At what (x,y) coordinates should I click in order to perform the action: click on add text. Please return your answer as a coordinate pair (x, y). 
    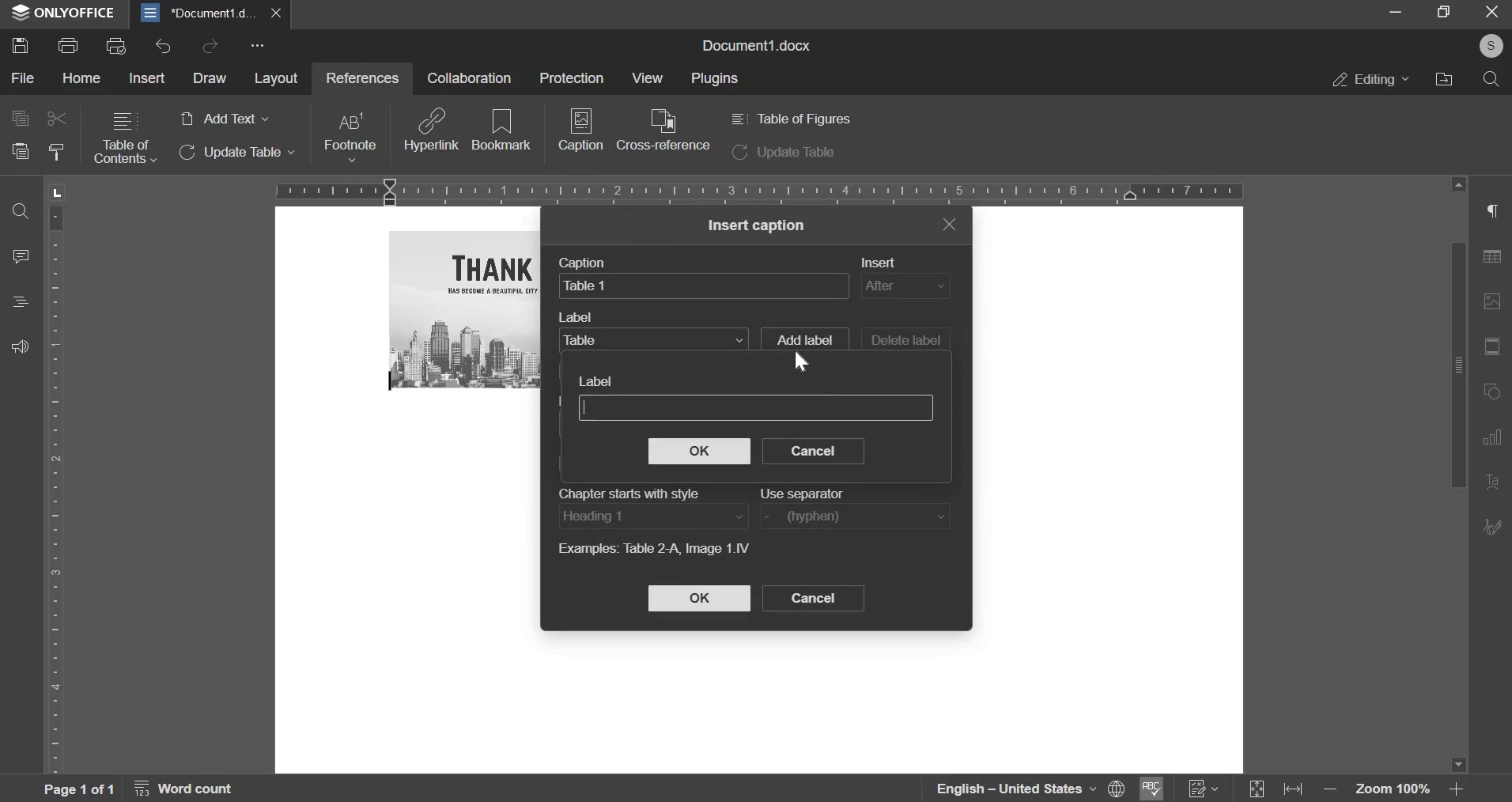
    Looking at the image, I should click on (223, 119).